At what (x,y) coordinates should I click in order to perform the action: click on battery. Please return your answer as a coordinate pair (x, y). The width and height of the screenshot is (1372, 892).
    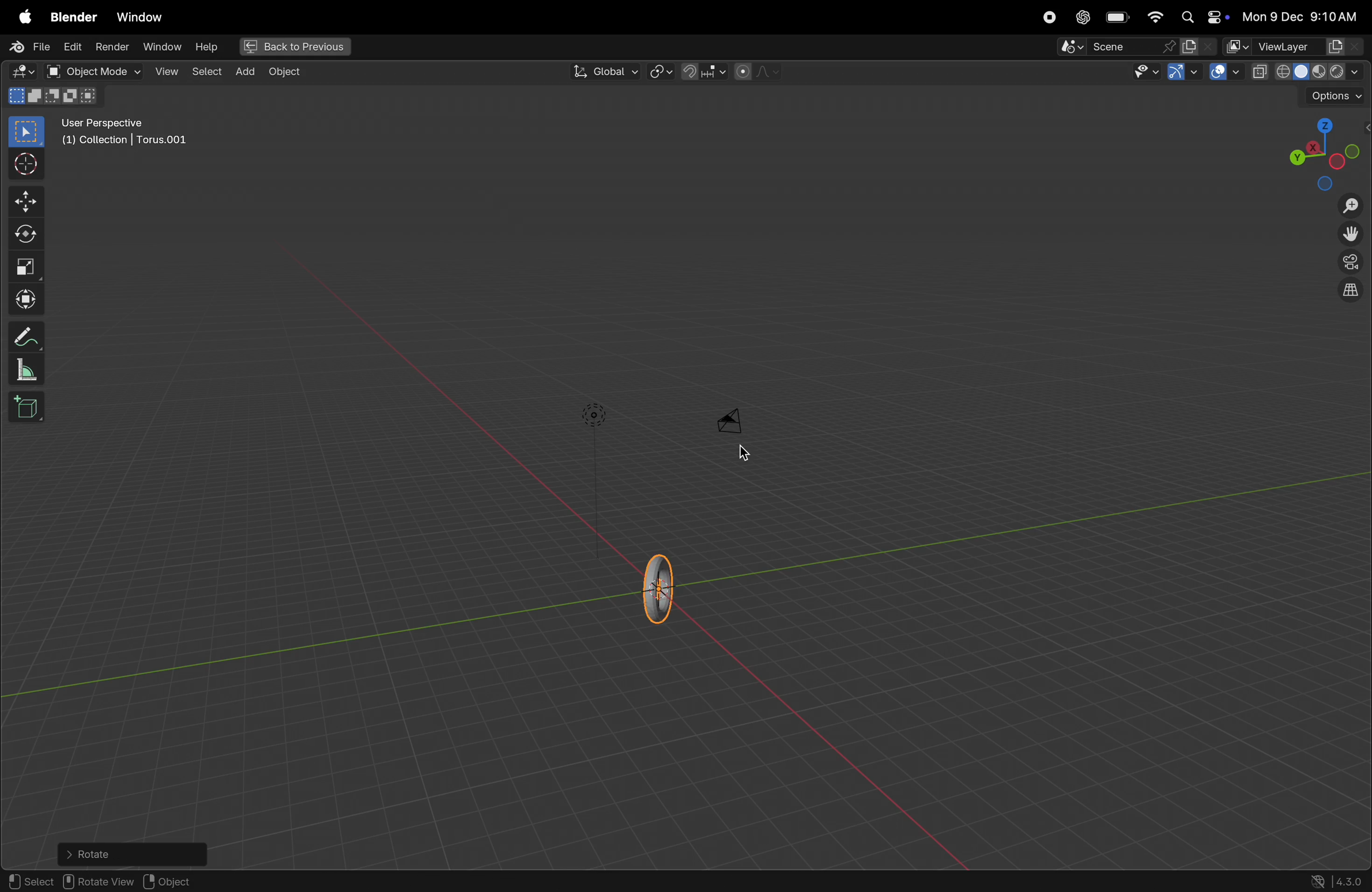
    Looking at the image, I should click on (1118, 18).